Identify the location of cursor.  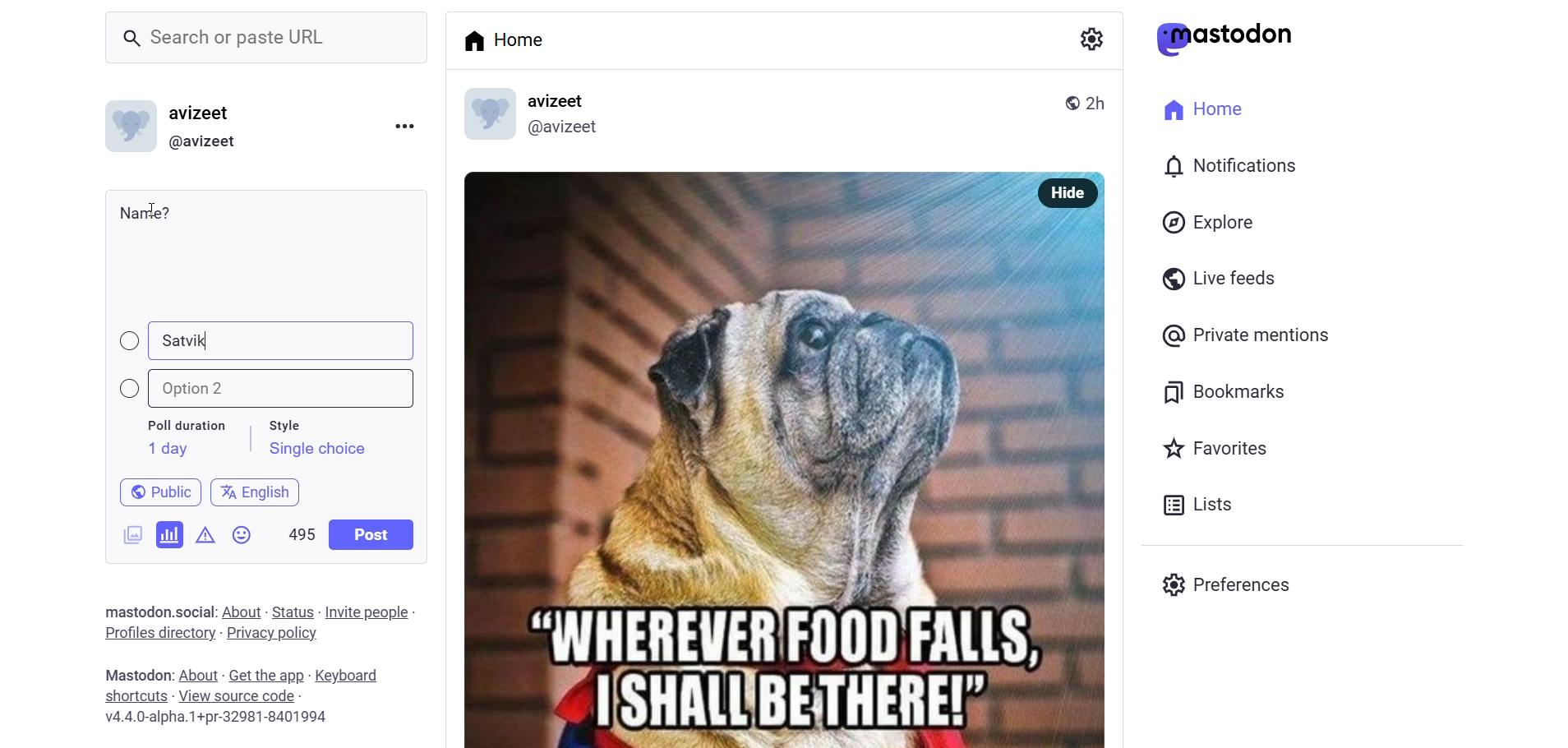
(160, 208).